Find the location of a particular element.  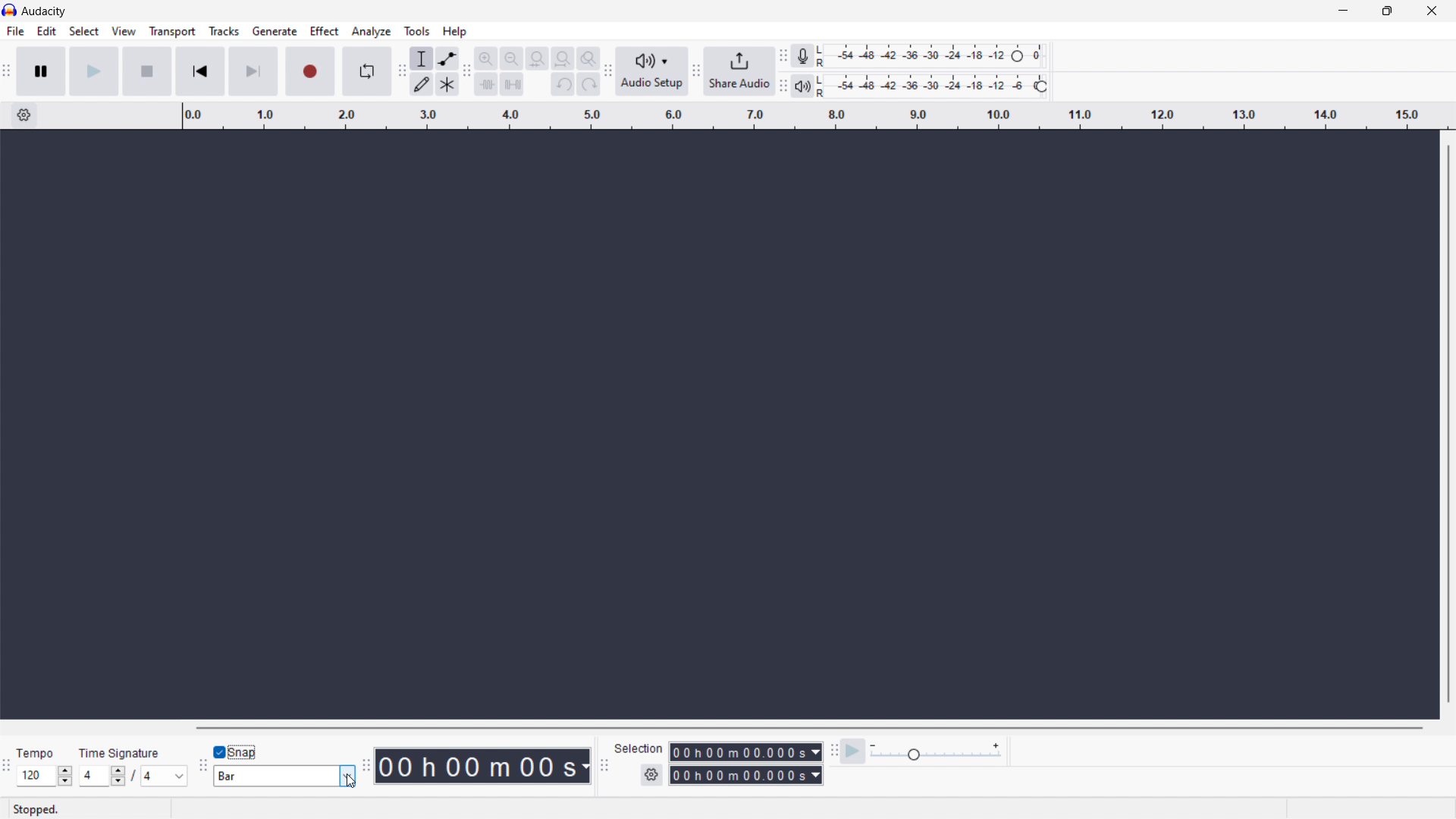

analyze is located at coordinates (372, 32).